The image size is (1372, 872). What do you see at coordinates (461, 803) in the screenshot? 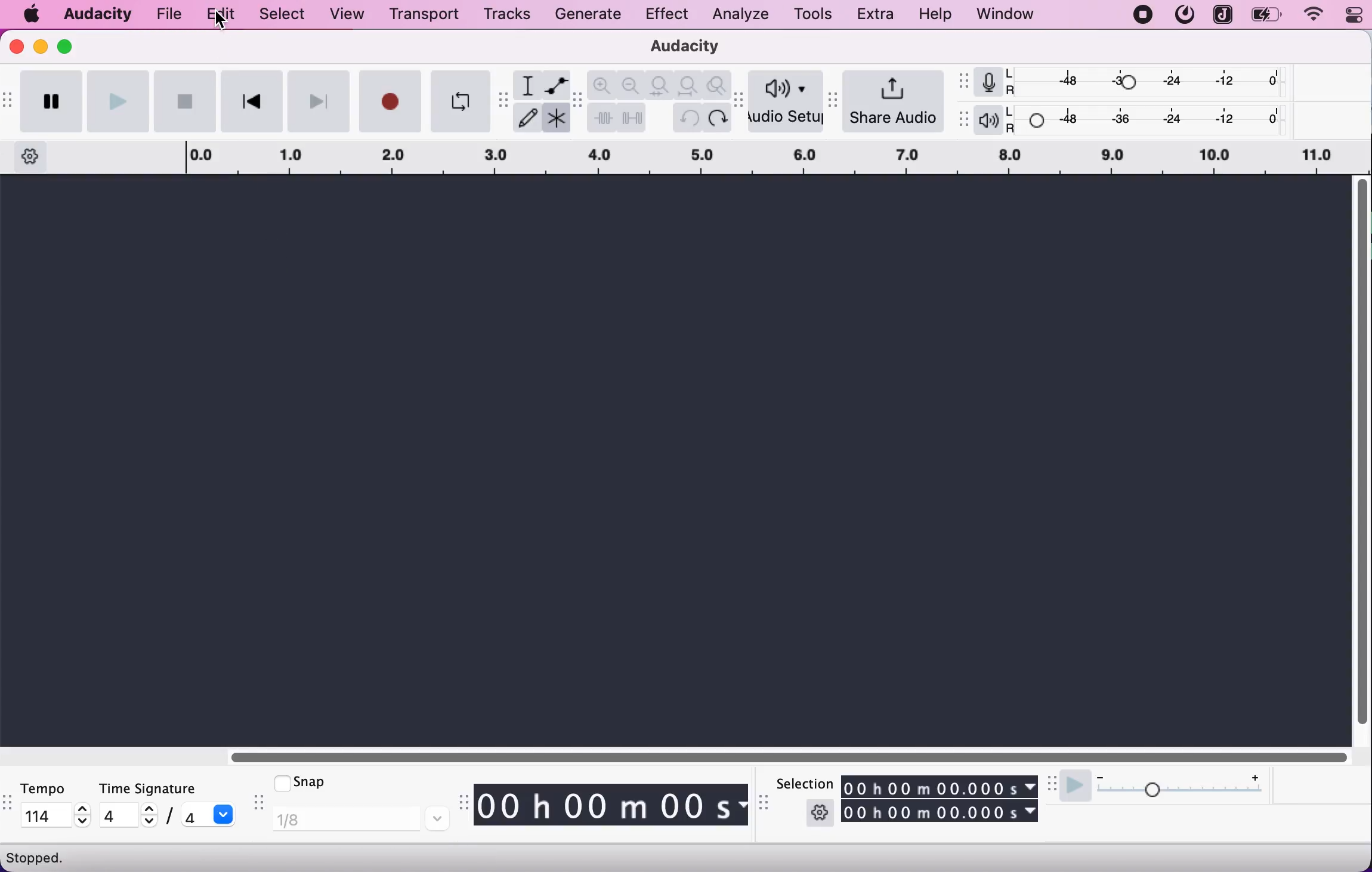
I see `audacity time toolbar` at bounding box center [461, 803].